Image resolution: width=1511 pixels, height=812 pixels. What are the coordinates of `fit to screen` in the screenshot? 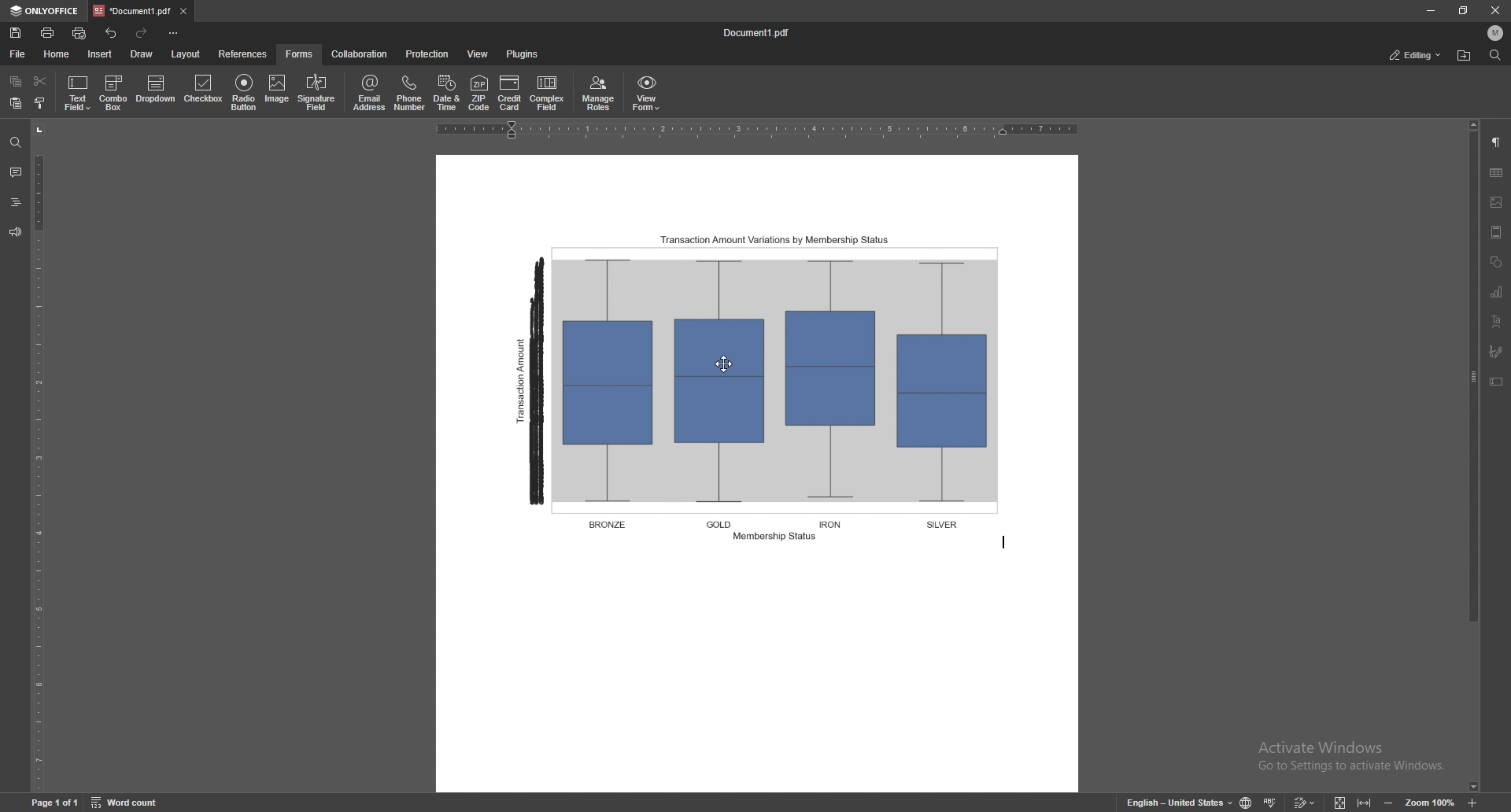 It's located at (1341, 801).